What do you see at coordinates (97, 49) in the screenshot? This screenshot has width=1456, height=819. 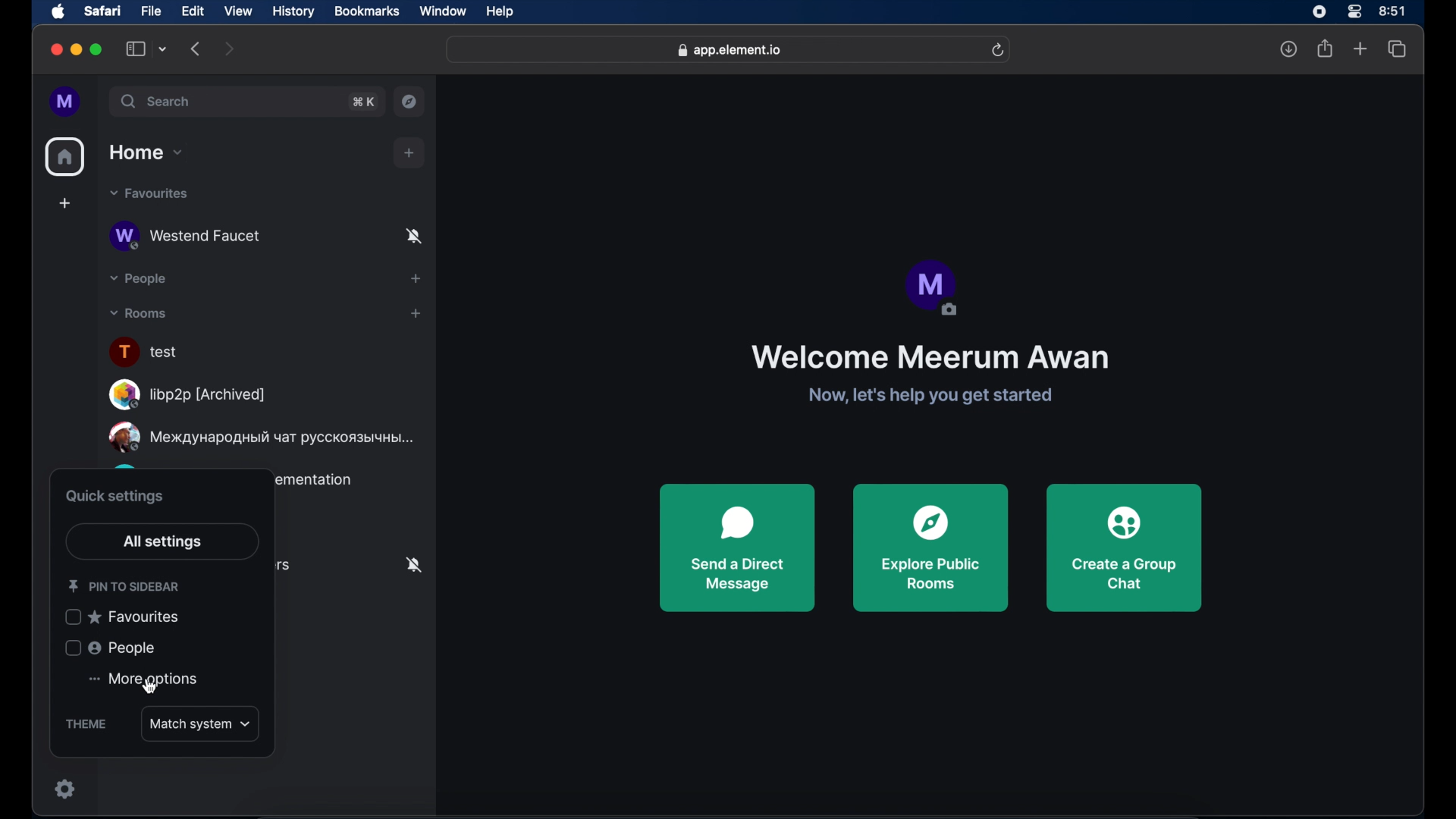 I see `maximize` at bounding box center [97, 49].